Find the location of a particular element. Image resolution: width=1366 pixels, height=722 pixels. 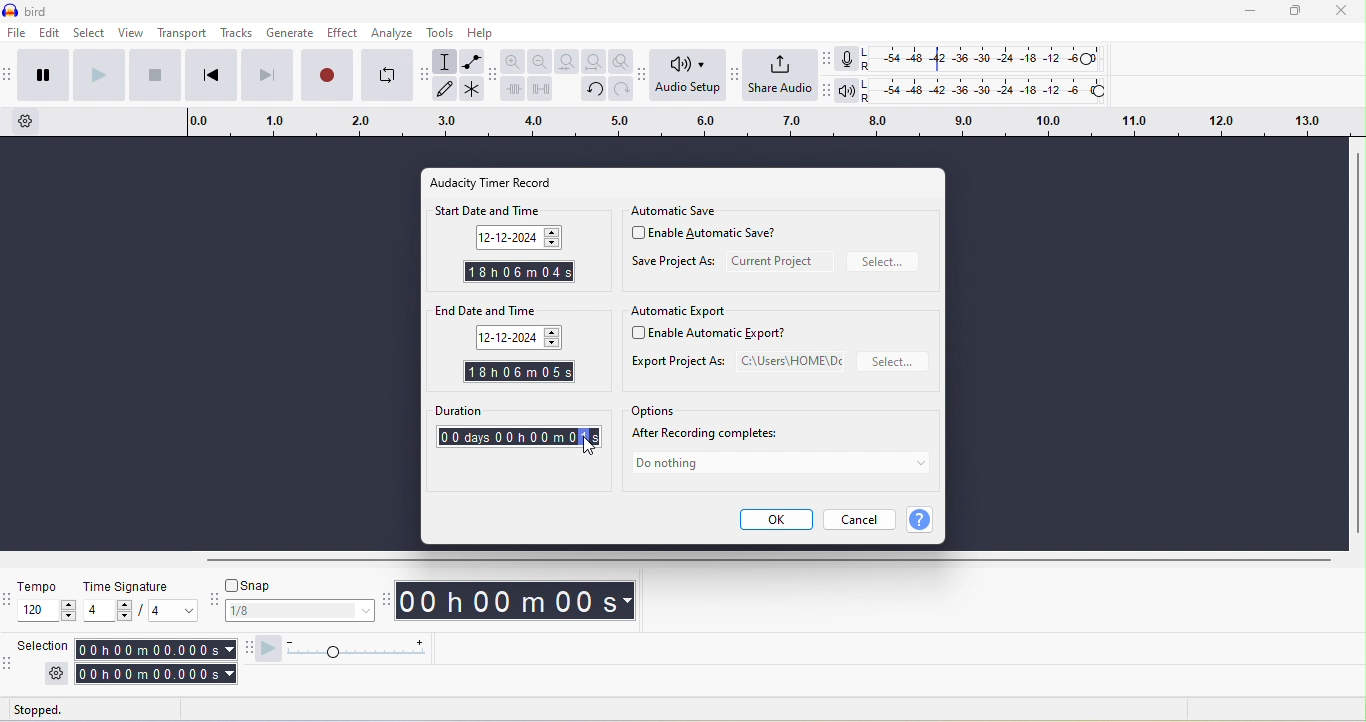

playback level is located at coordinates (993, 91).